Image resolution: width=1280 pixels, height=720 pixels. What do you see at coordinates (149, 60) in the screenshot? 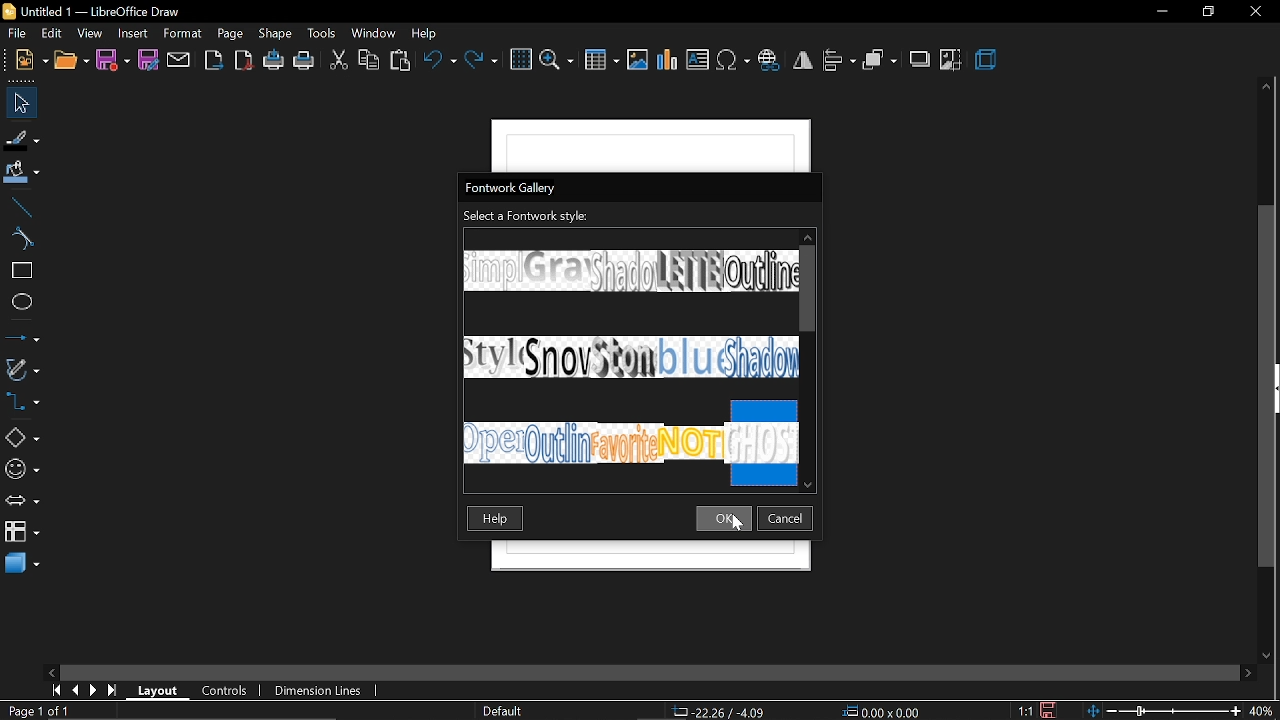
I see `save as` at bounding box center [149, 60].